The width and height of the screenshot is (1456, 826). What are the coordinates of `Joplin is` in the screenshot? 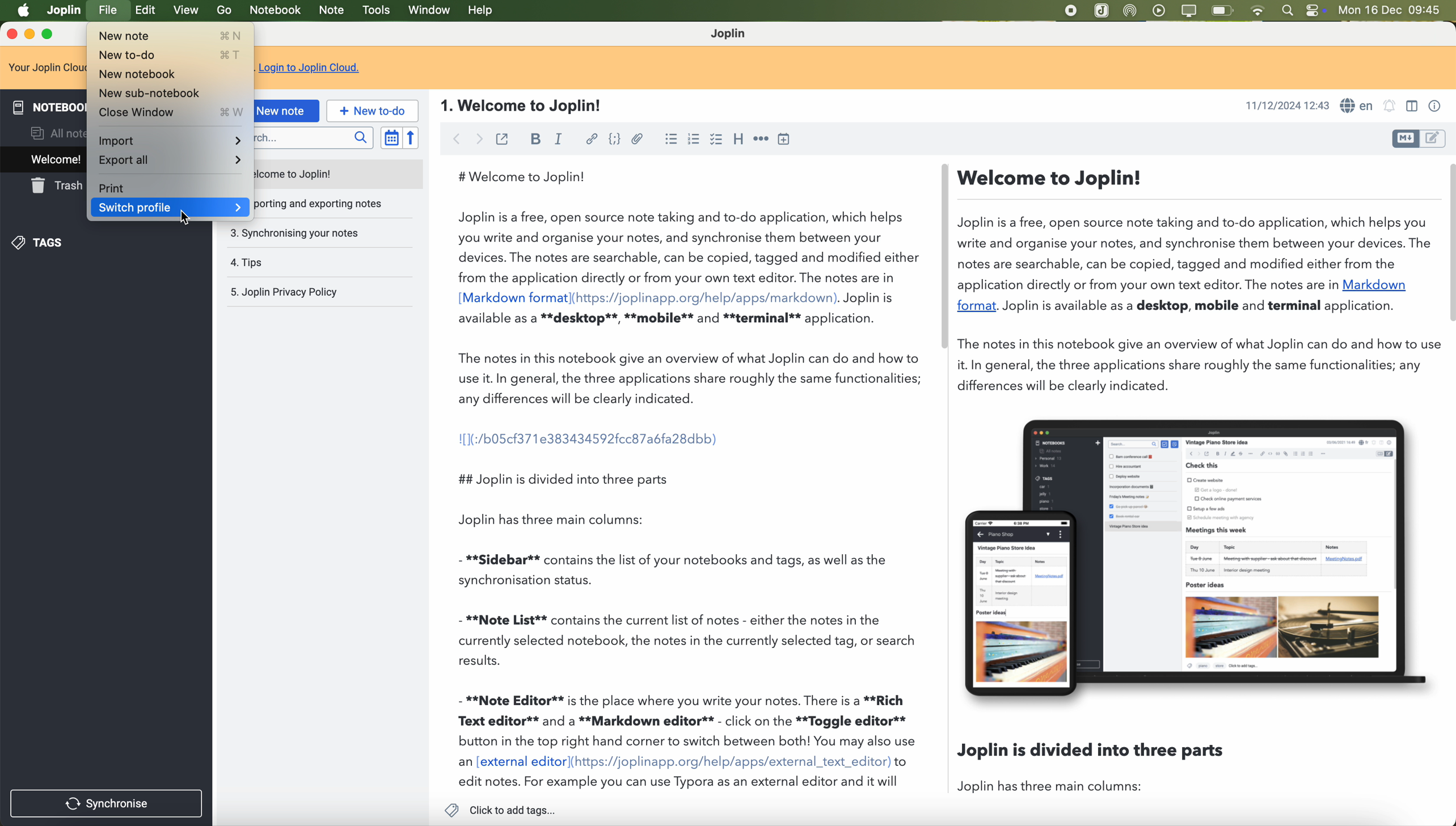 It's located at (870, 298).